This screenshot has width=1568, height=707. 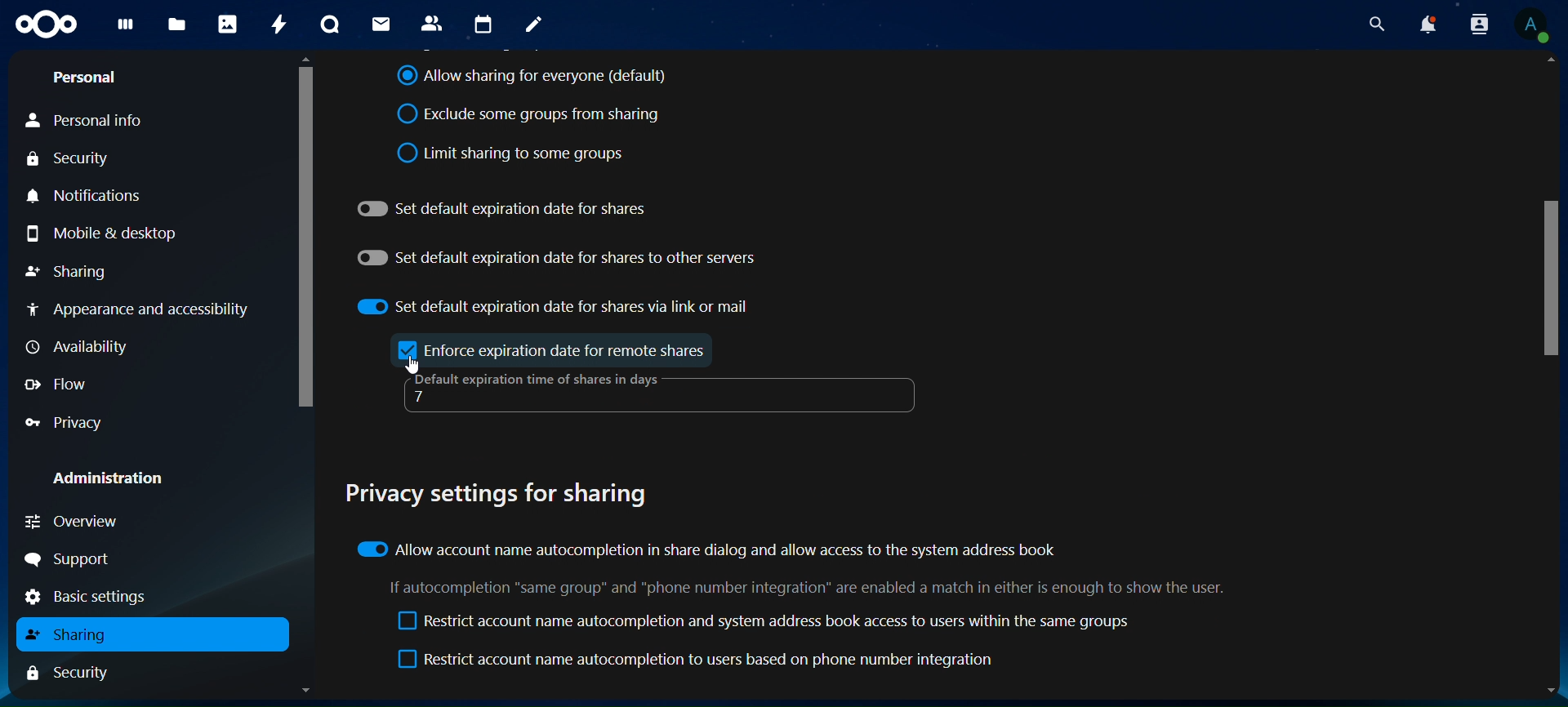 What do you see at coordinates (1532, 27) in the screenshot?
I see `View Profile` at bounding box center [1532, 27].